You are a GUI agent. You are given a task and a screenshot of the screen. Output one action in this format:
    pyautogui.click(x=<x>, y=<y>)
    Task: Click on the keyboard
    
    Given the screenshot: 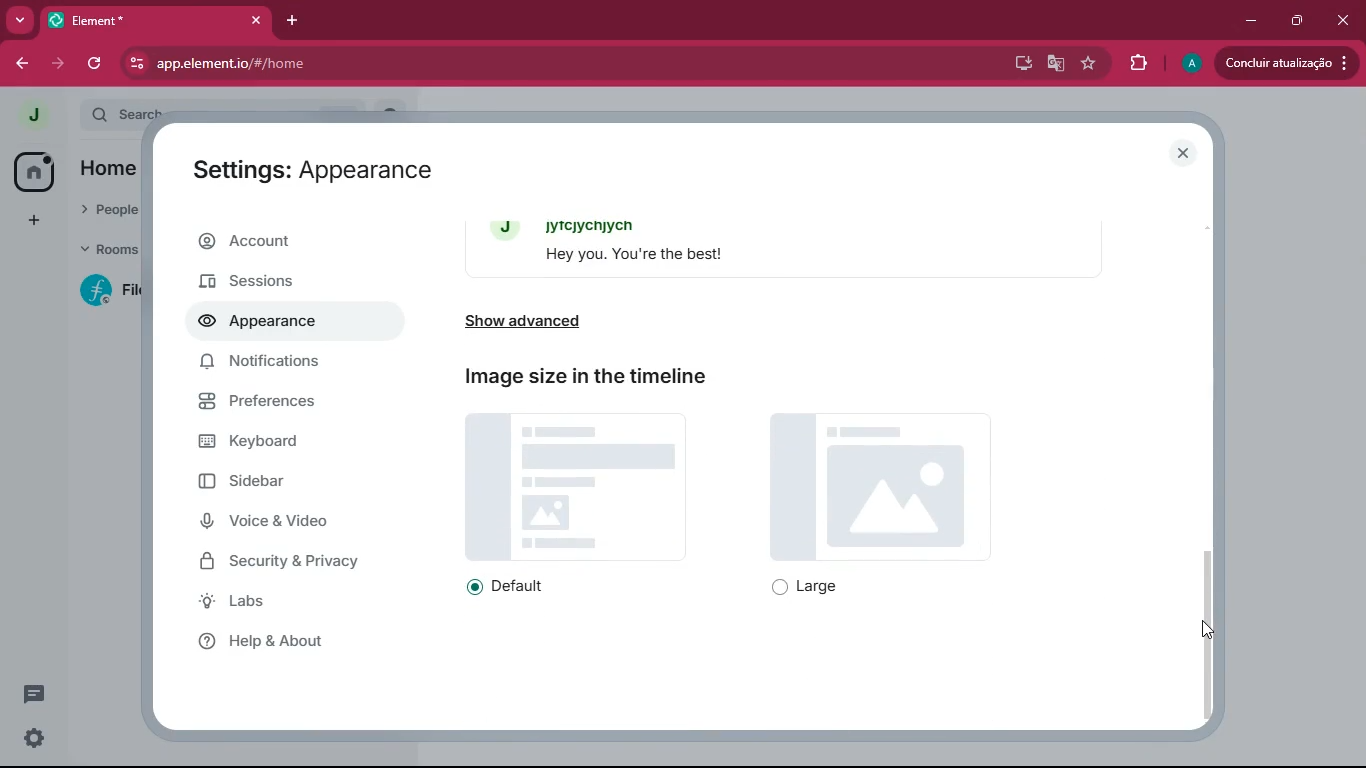 What is the action you would take?
    pyautogui.click(x=277, y=444)
    